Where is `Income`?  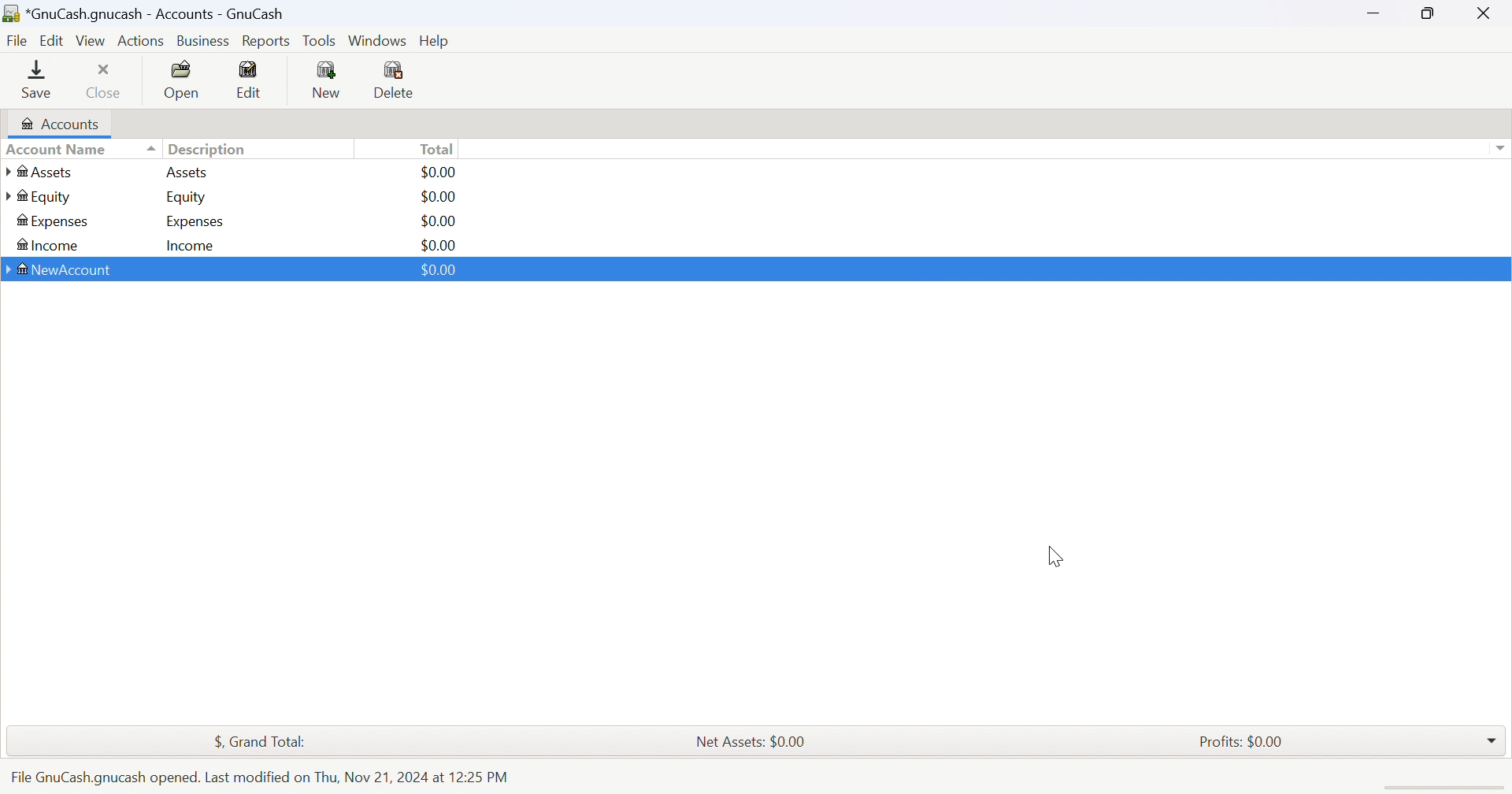
Income is located at coordinates (46, 247).